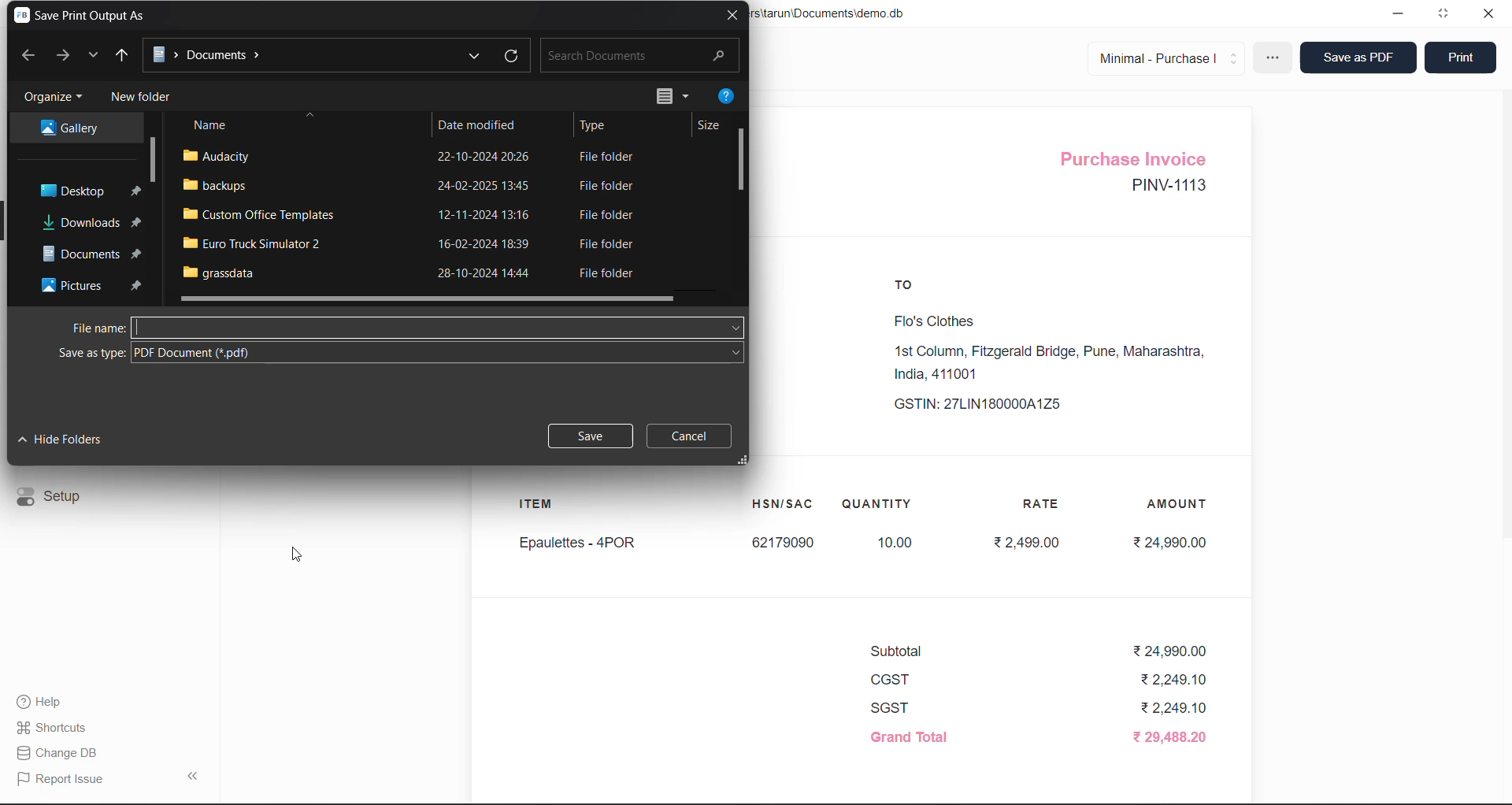  What do you see at coordinates (65, 777) in the screenshot?
I see `Report Issue` at bounding box center [65, 777].